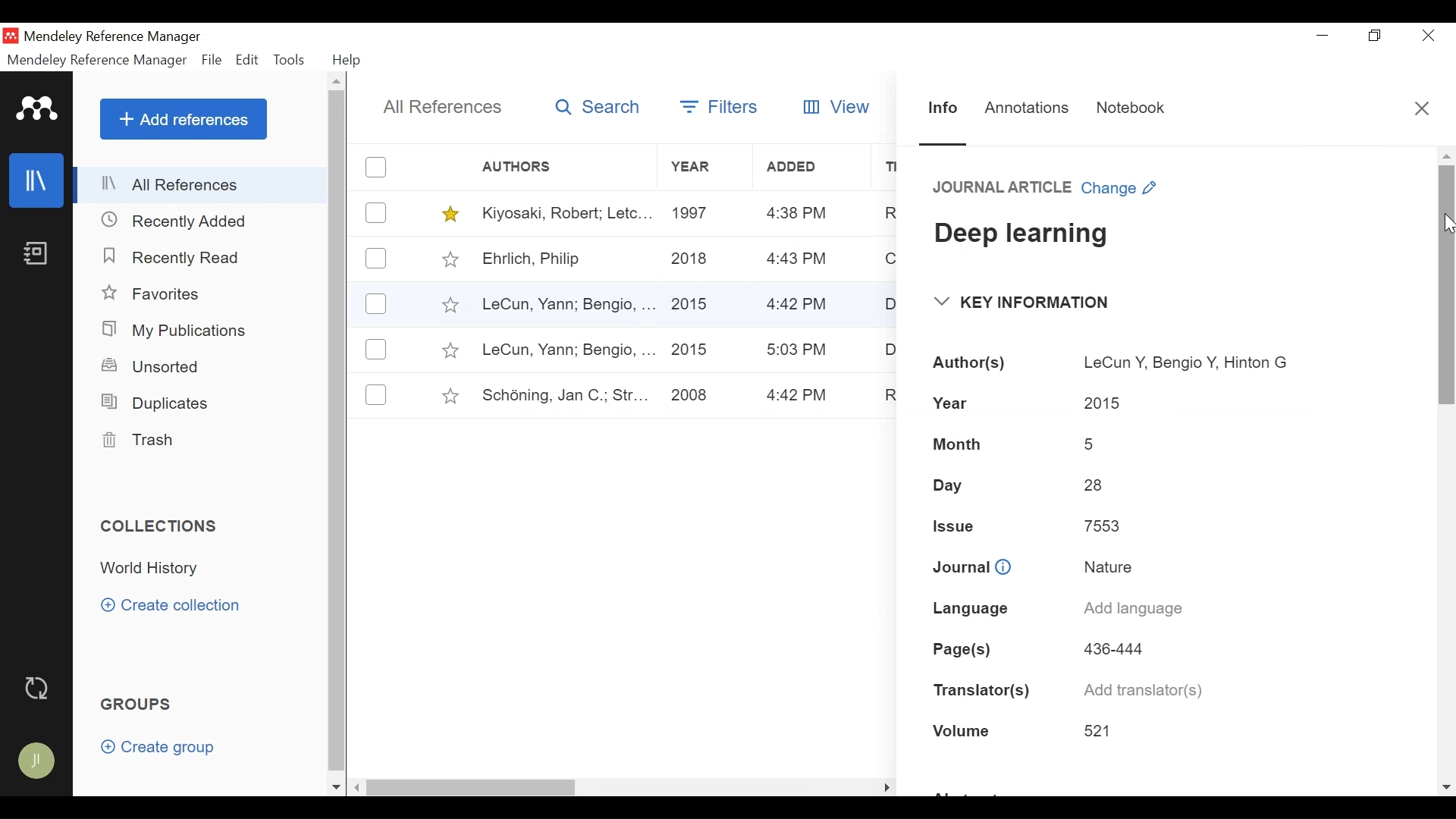  What do you see at coordinates (40, 689) in the screenshot?
I see `Sync` at bounding box center [40, 689].